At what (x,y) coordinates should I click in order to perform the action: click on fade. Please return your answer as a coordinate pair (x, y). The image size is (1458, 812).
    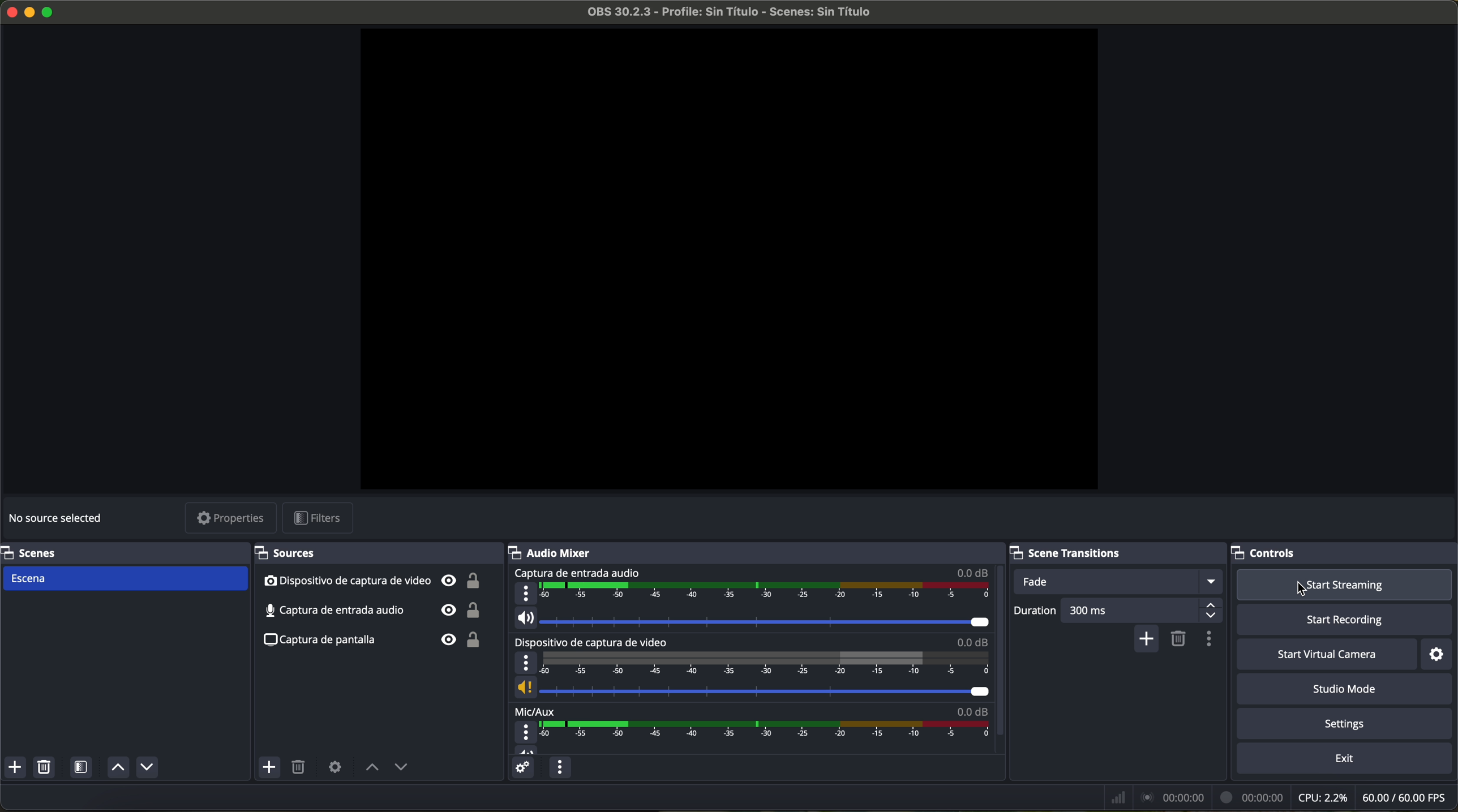
    Looking at the image, I should click on (1121, 582).